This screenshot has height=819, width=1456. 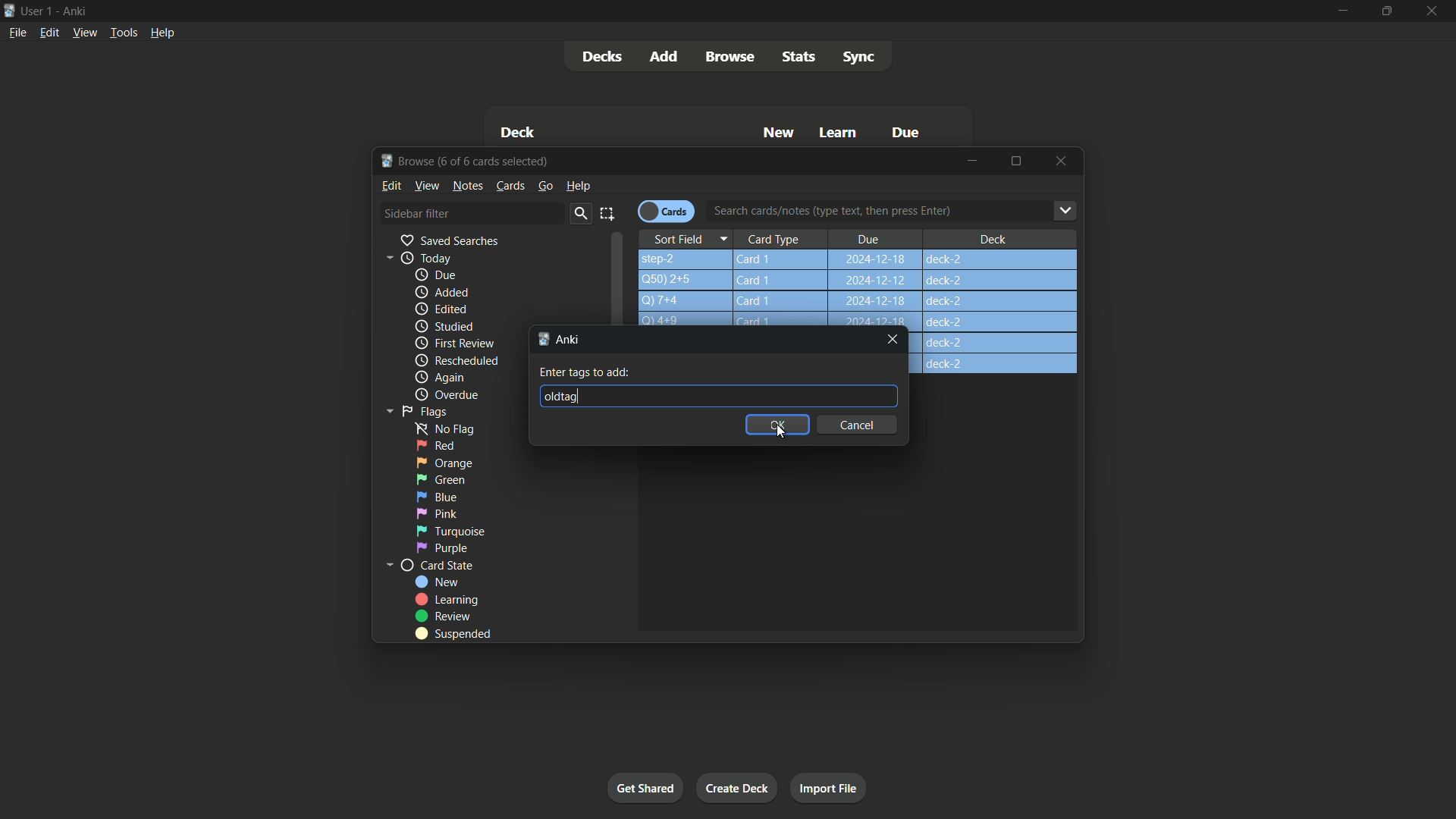 What do you see at coordinates (777, 432) in the screenshot?
I see `Cursor` at bounding box center [777, 432].